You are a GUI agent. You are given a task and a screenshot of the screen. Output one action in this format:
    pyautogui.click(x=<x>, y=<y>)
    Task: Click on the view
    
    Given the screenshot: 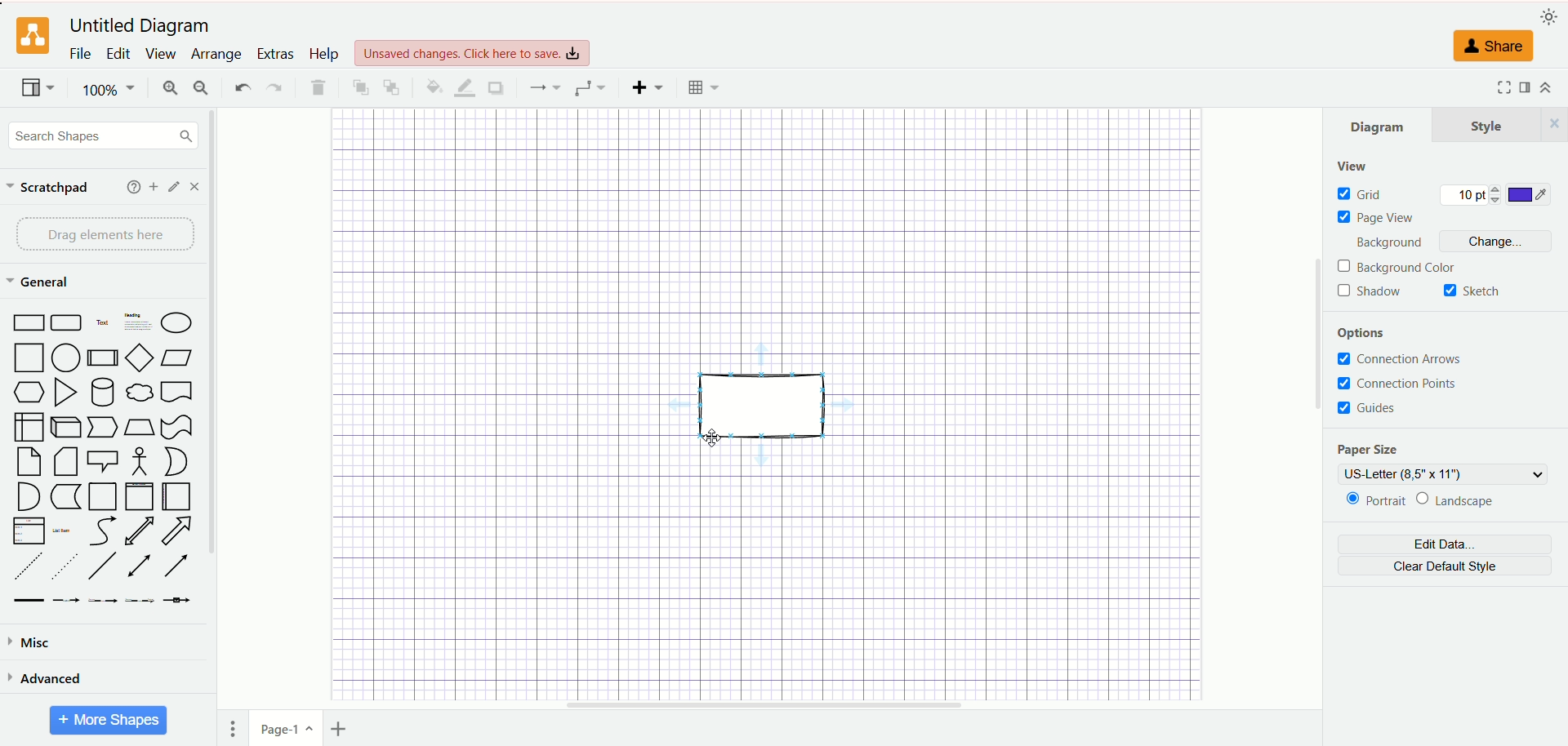 What is the action you would take?
    pyautogui.click(x=158, y=55)
    